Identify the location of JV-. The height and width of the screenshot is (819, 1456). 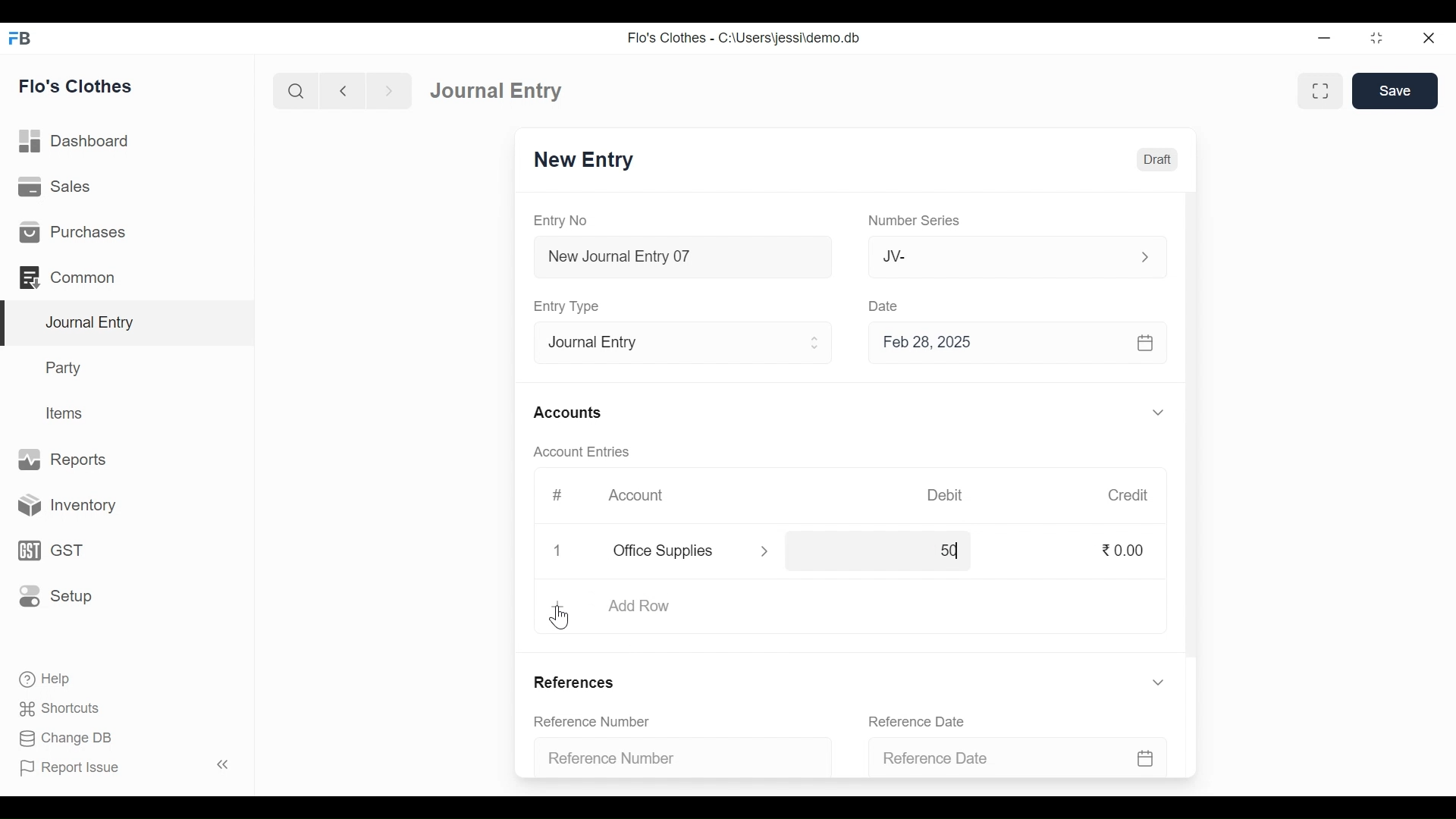
(990, 257).